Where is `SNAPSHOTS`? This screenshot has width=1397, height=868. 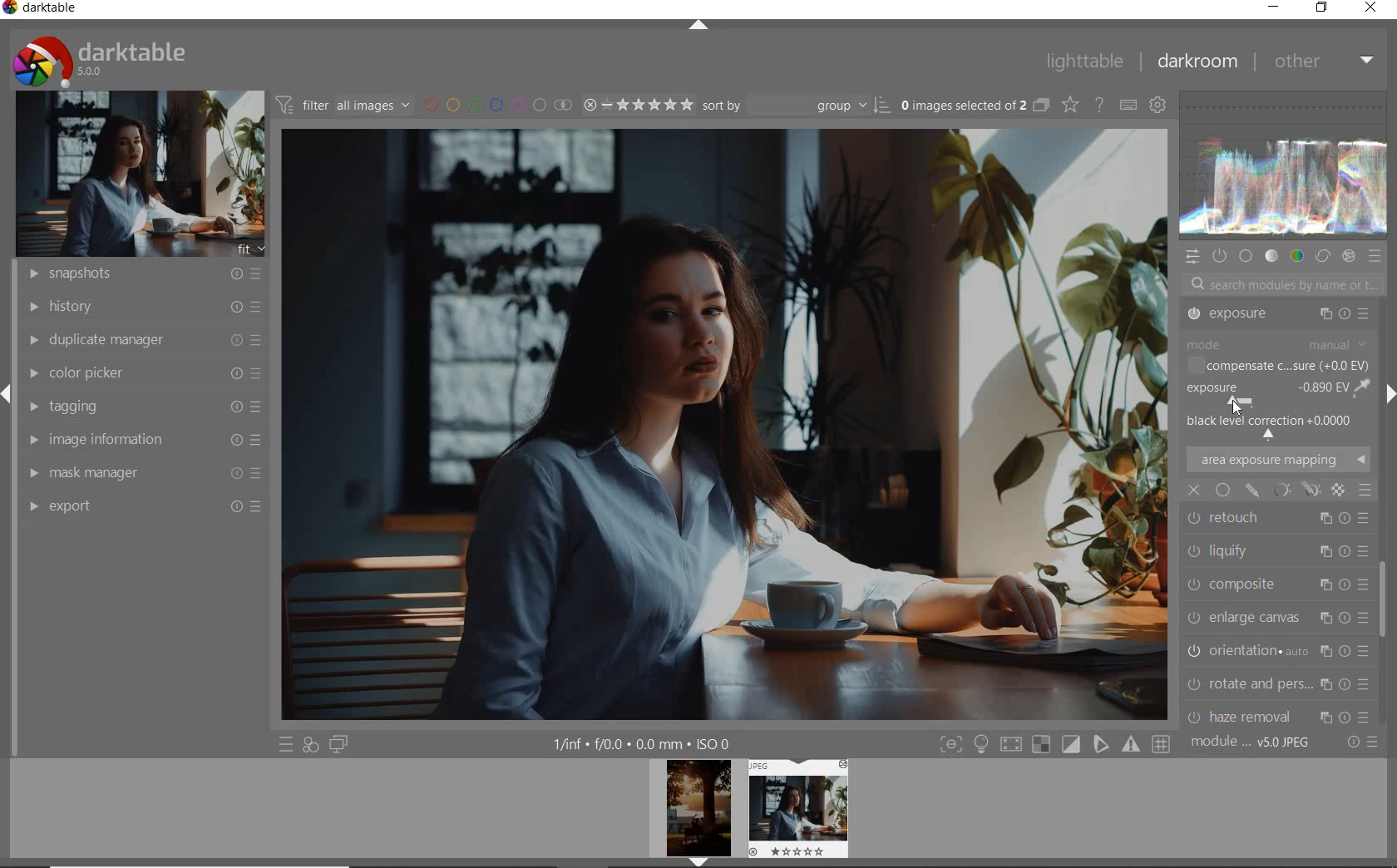 SNAPSHOTS is located at coordinates (146, 273).